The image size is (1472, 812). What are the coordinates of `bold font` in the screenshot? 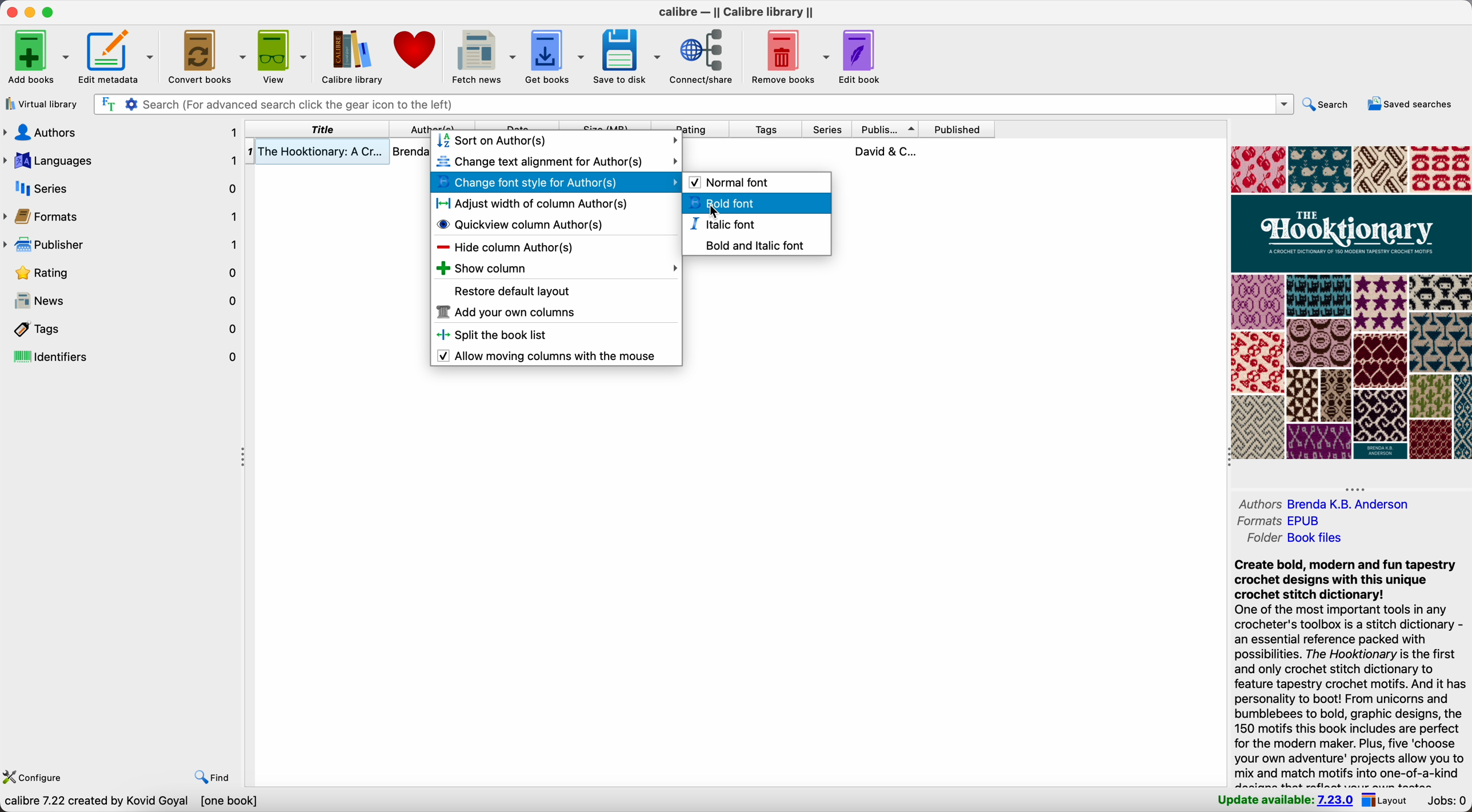 It's located at (758, 203).